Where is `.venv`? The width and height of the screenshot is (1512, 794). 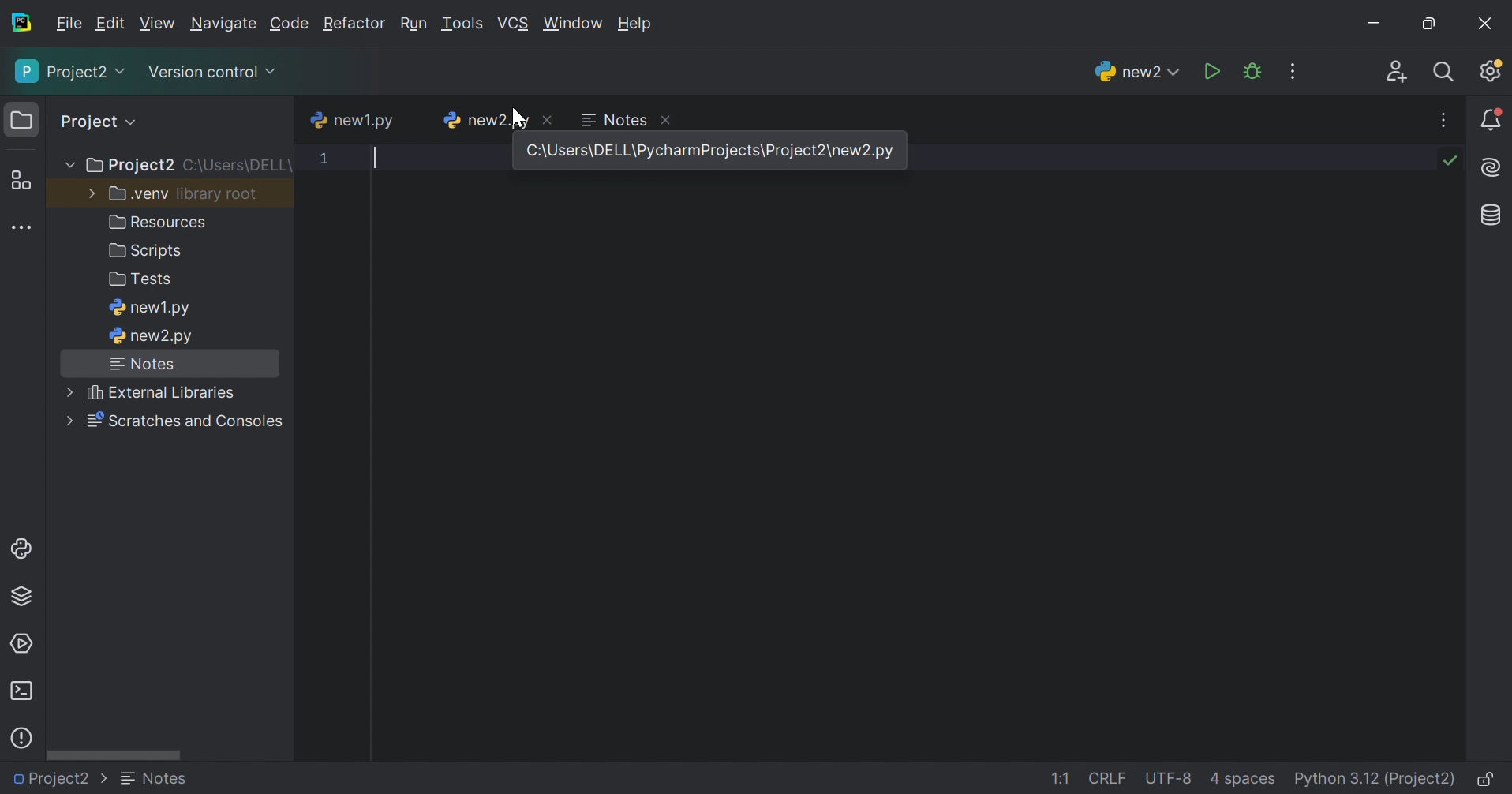 .venv is located at coordinates (137, 195).